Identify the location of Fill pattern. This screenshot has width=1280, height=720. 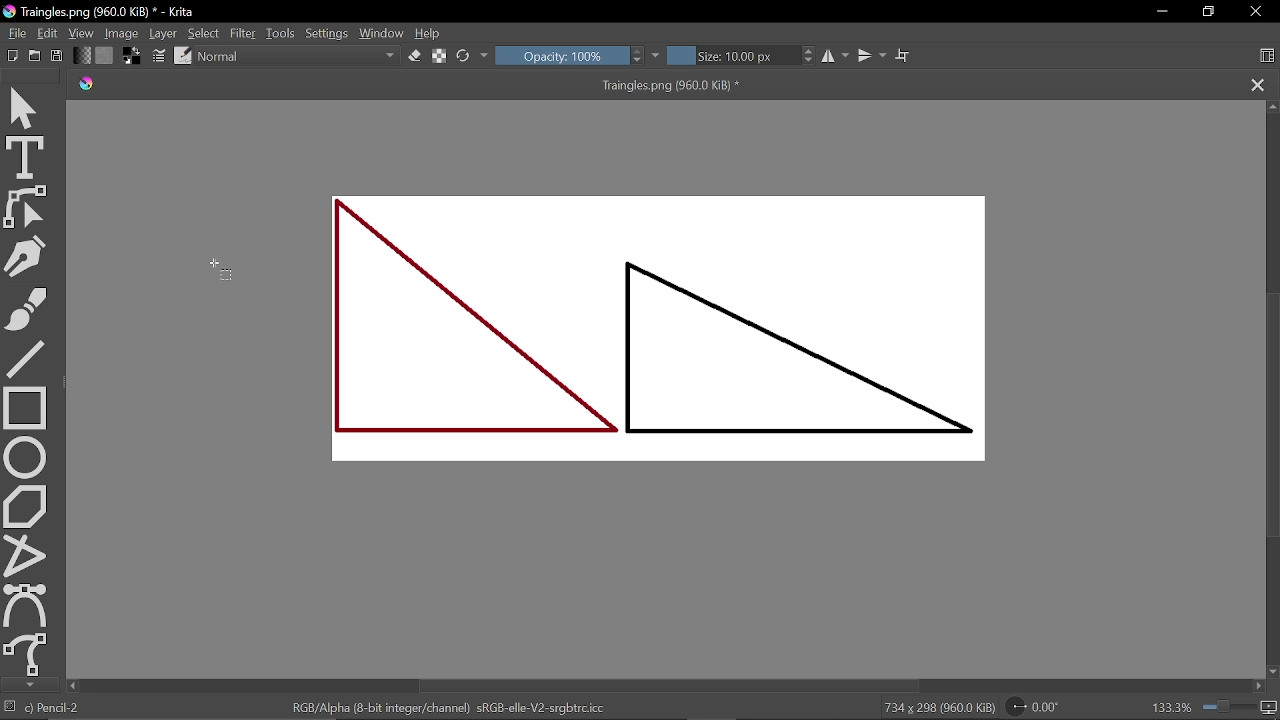
(82, 56).